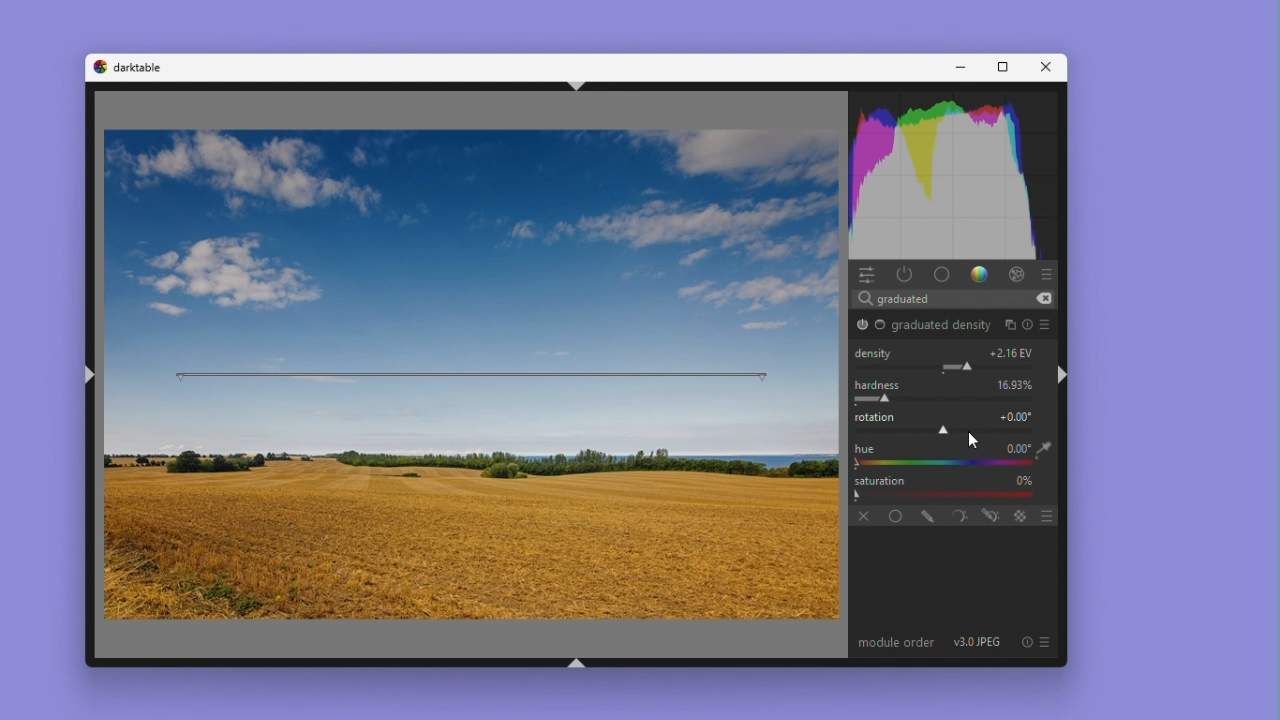 This screenshot has height=720, width=1280. I want to click on darktable, so click(143, 67).